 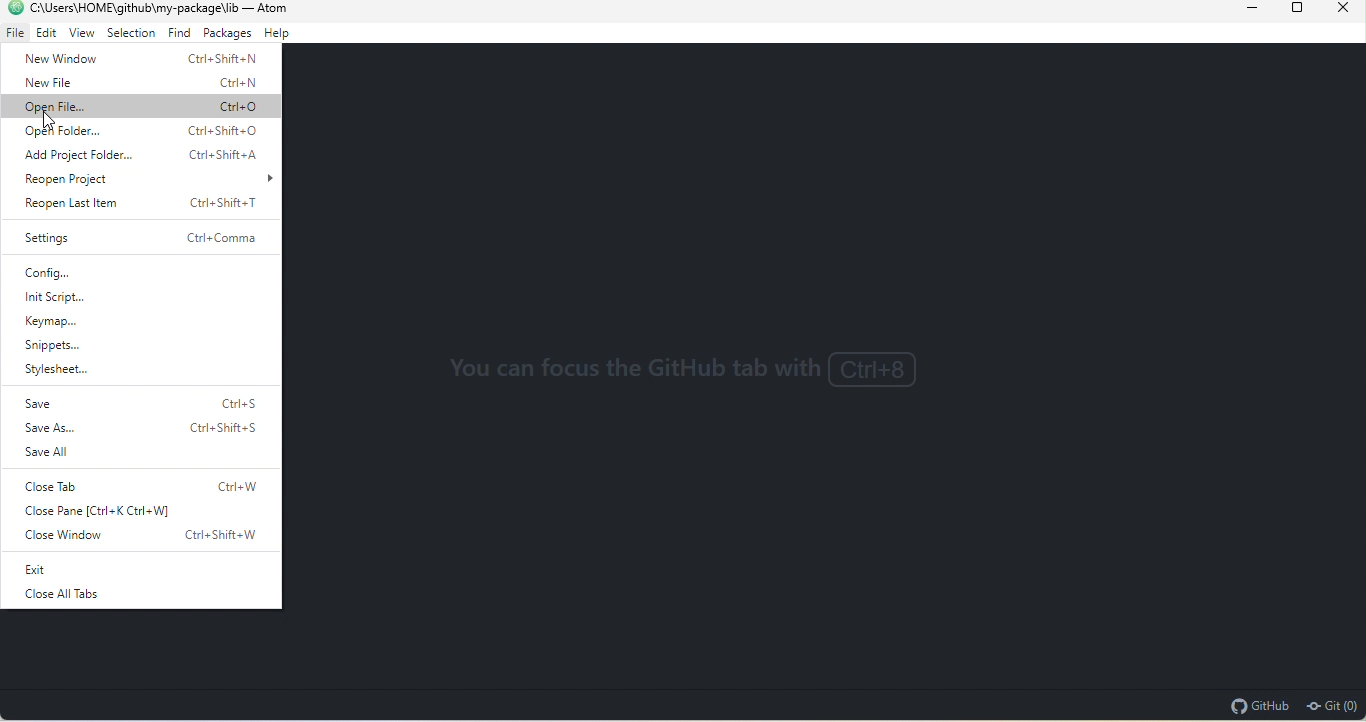 What do you see at coordinates (177, 35) in the screenshot?
I see `find` at bounding box center [177, 35].